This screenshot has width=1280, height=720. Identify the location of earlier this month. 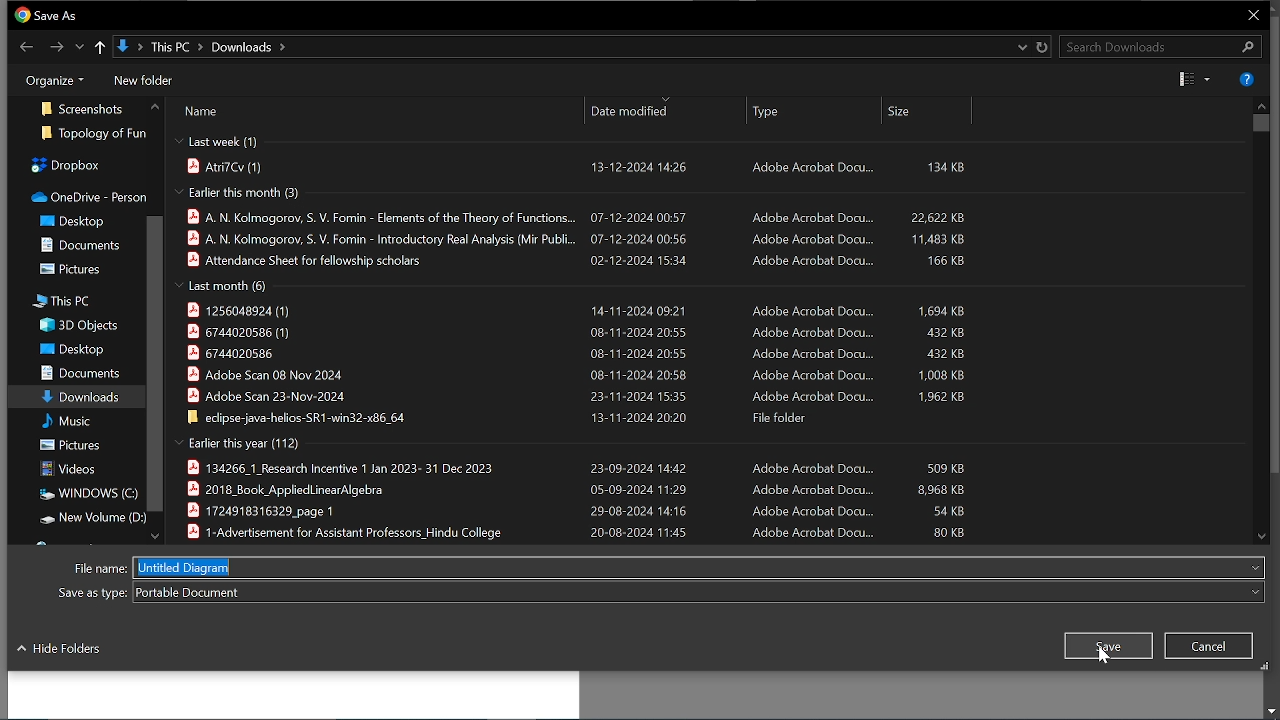
(242, 194).